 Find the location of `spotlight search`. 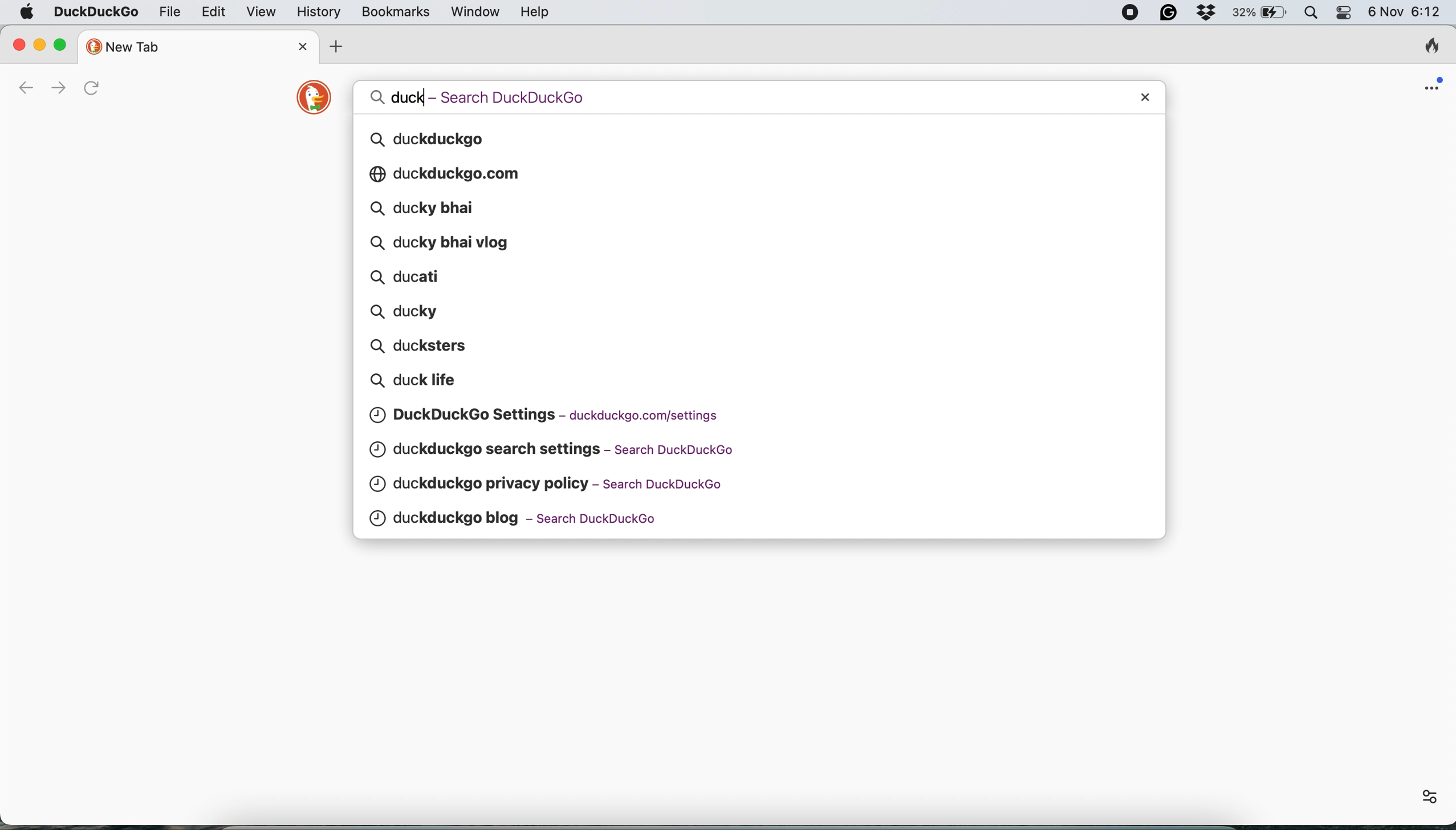

spotlight search is located at coordinates (1312, 13).